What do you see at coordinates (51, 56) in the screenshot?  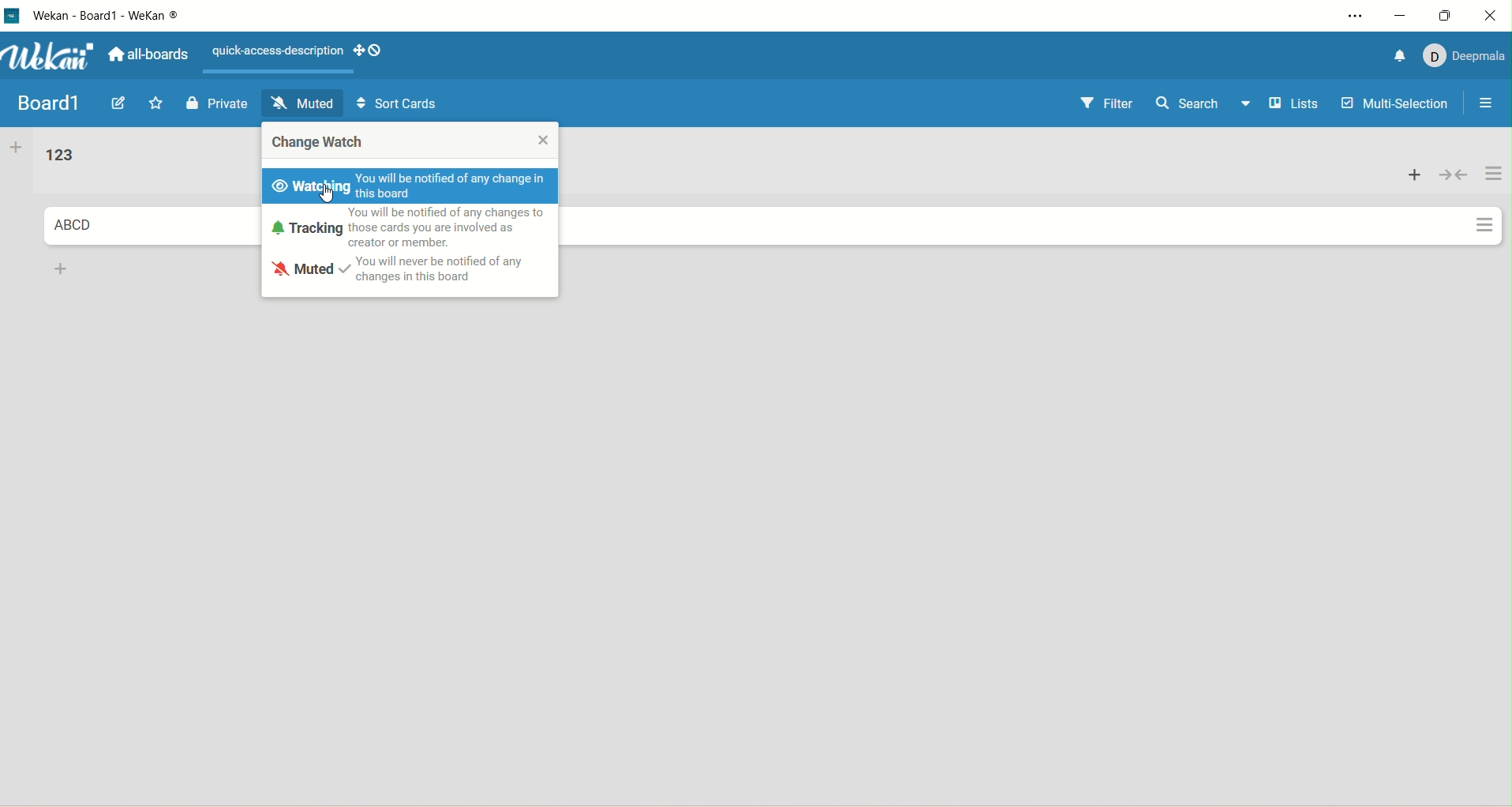 I see `wekan` at bounding box center [51, 56].